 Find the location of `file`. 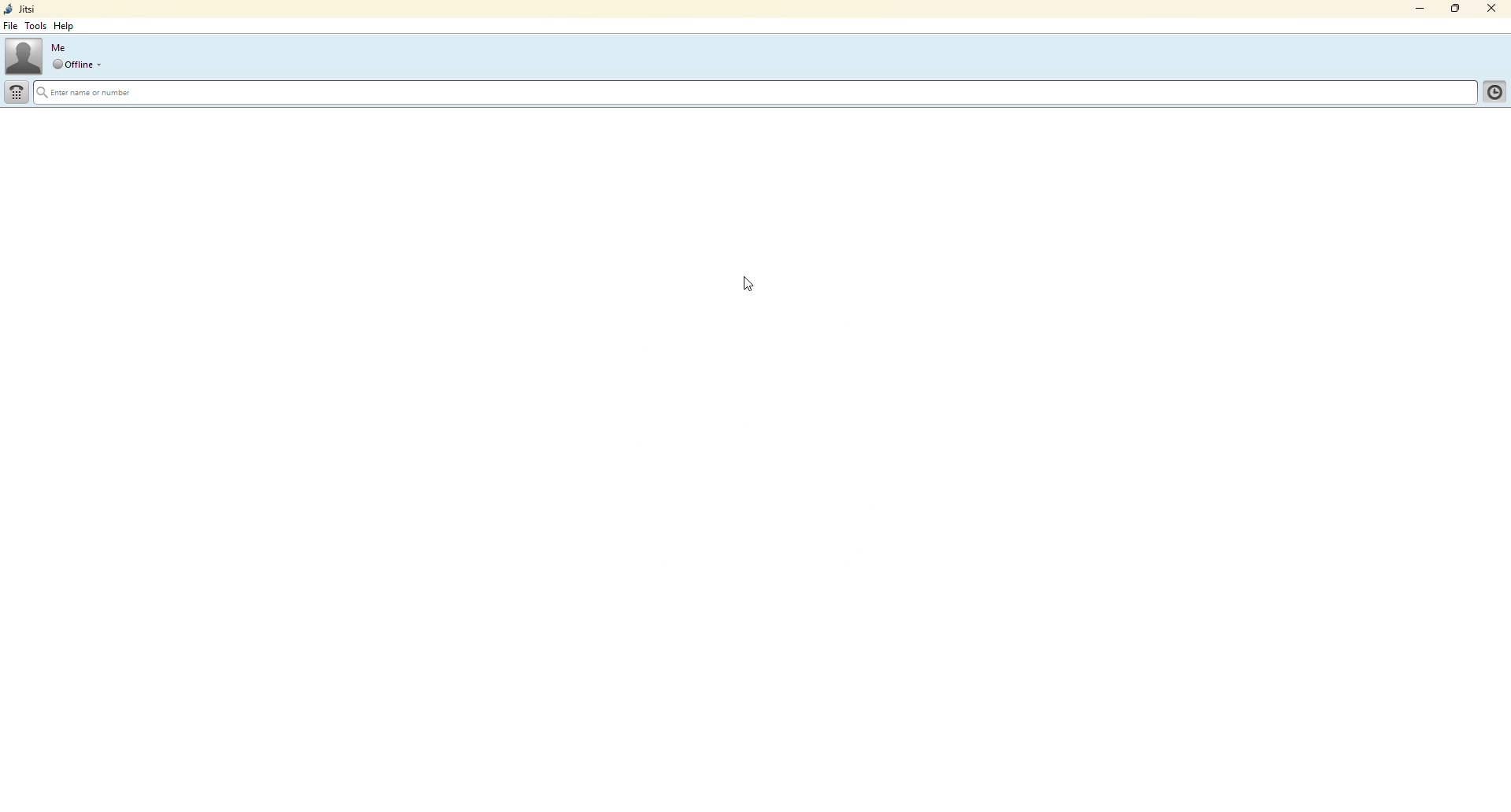

file is located at coordinates (13, 27).